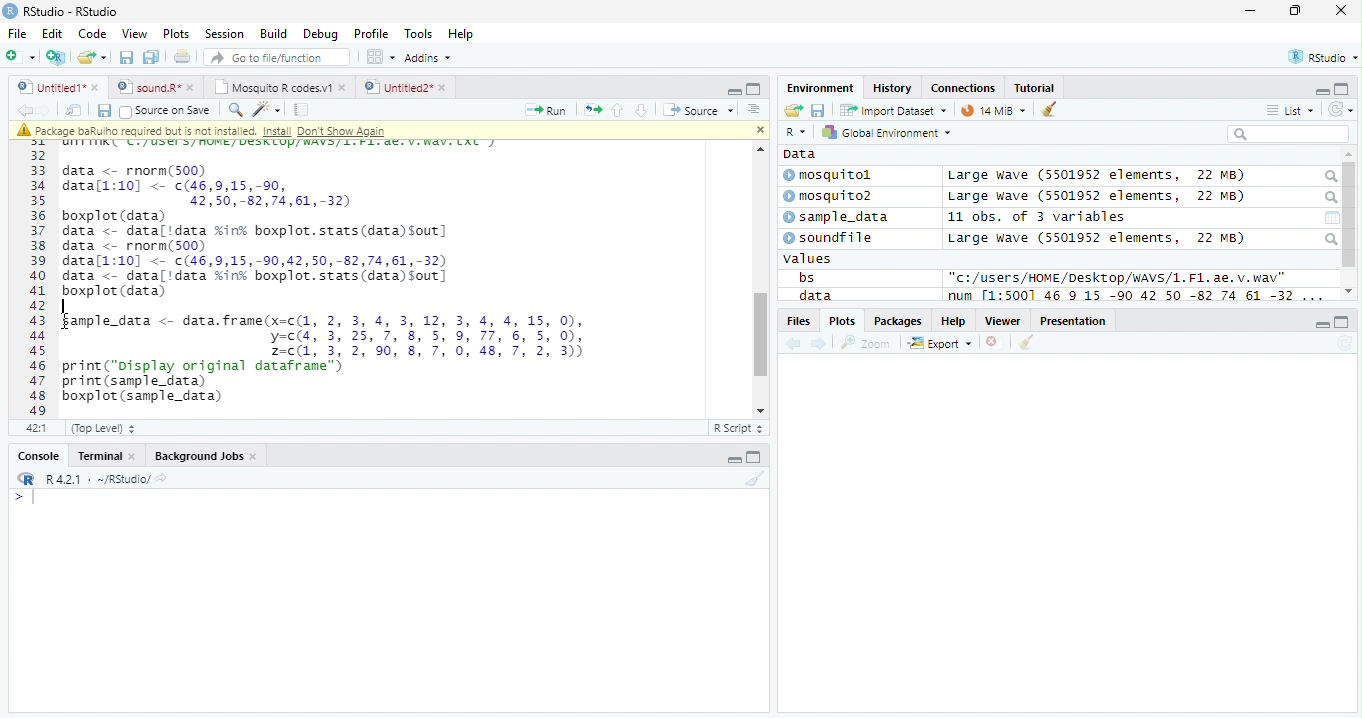 This screenshot has width=1362, height=718. I want to click on maximize, so click(1294, 10).